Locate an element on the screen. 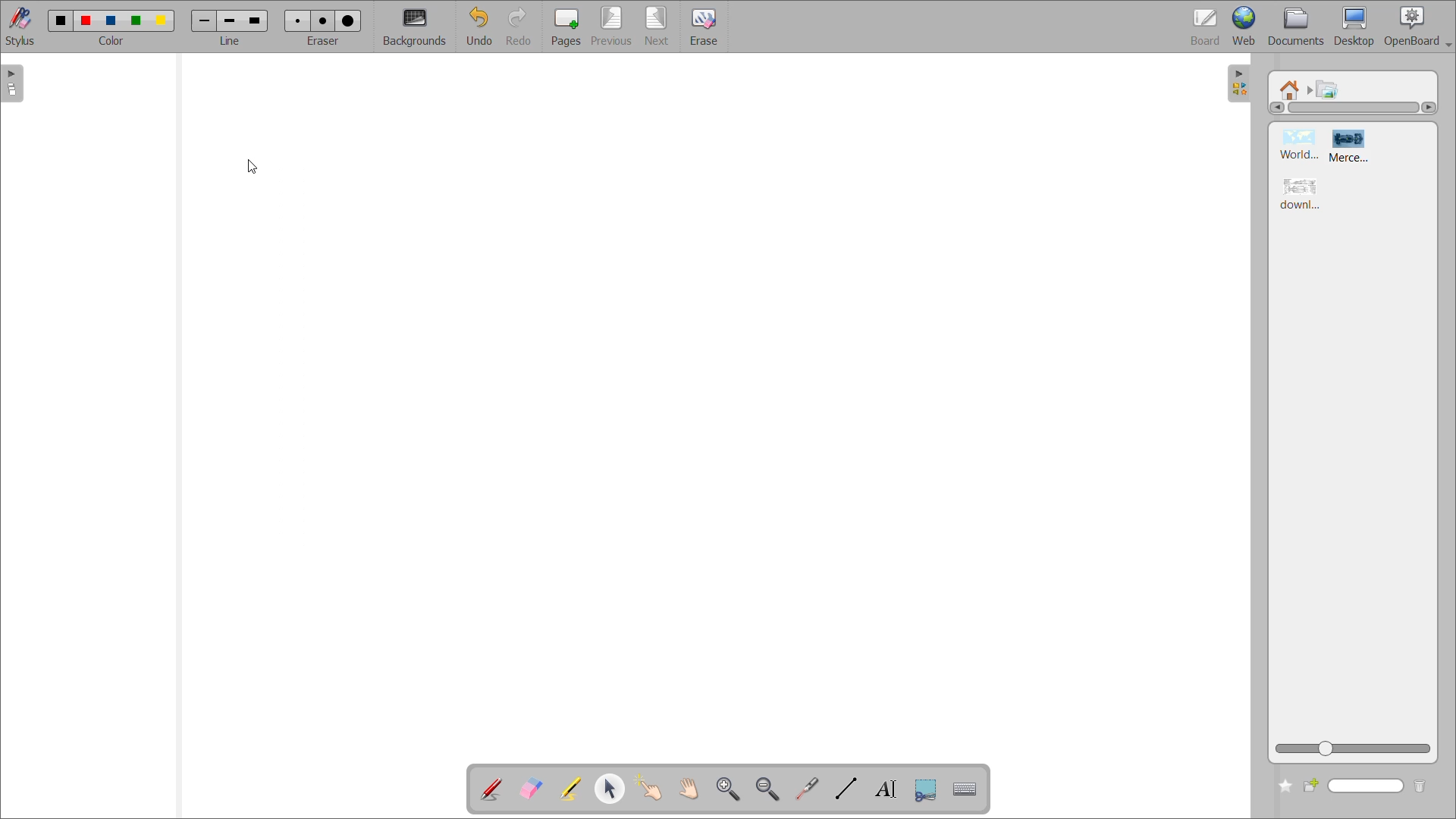 The image size is (1456, 819). color 4 is located at coordinates (136, 23).